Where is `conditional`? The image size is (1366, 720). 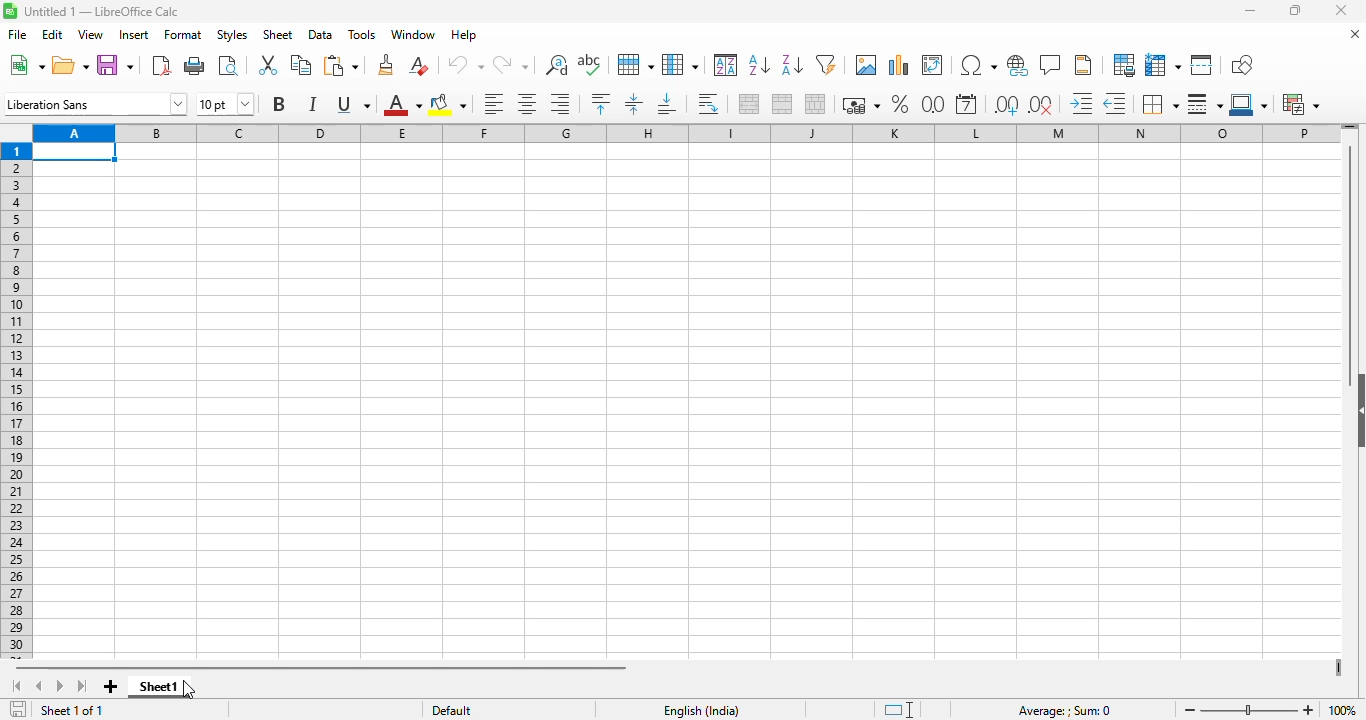 conditional is located at coordinates (1303, 104).